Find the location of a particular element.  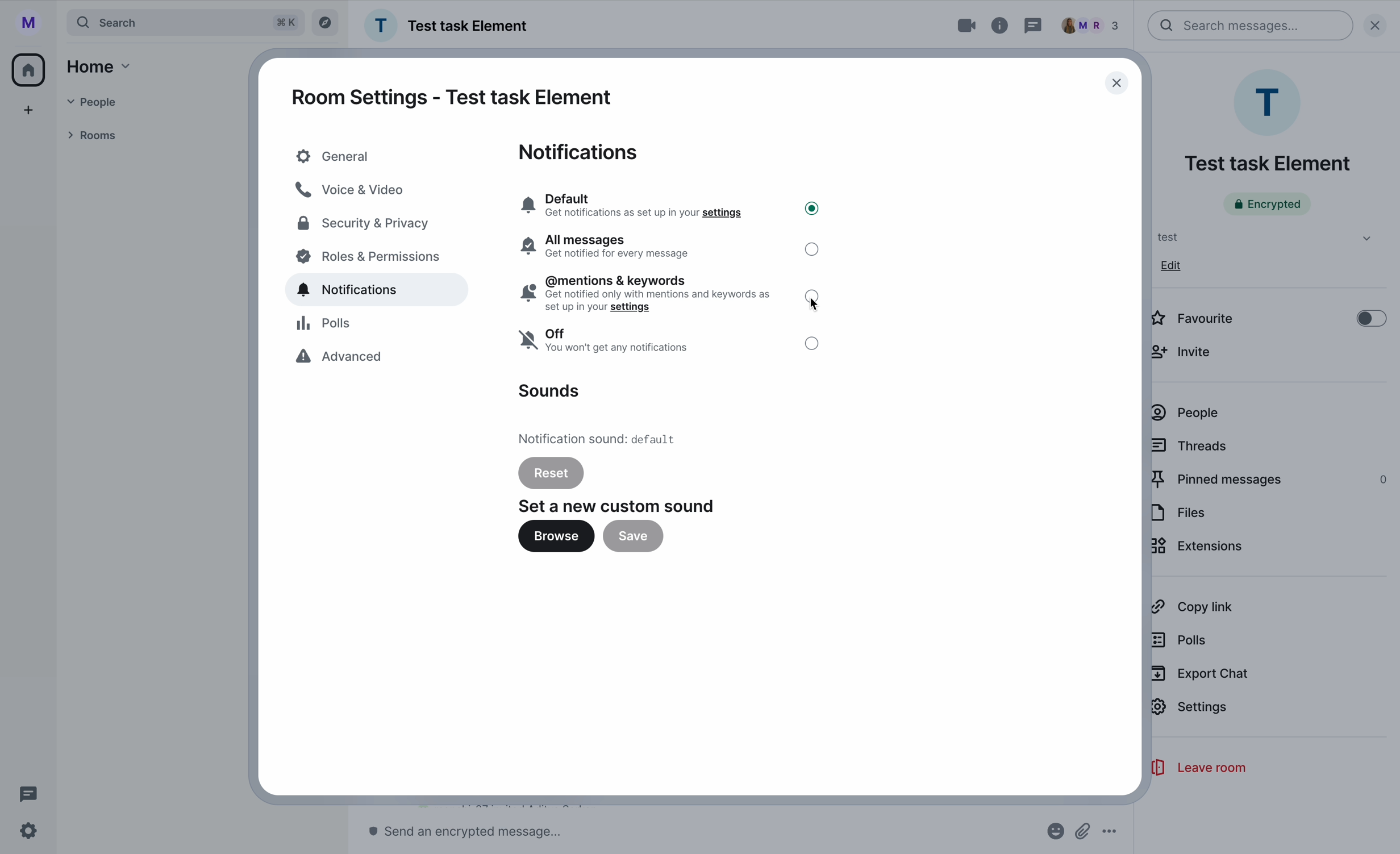

click on notifications is located at coordinates (381, 291).